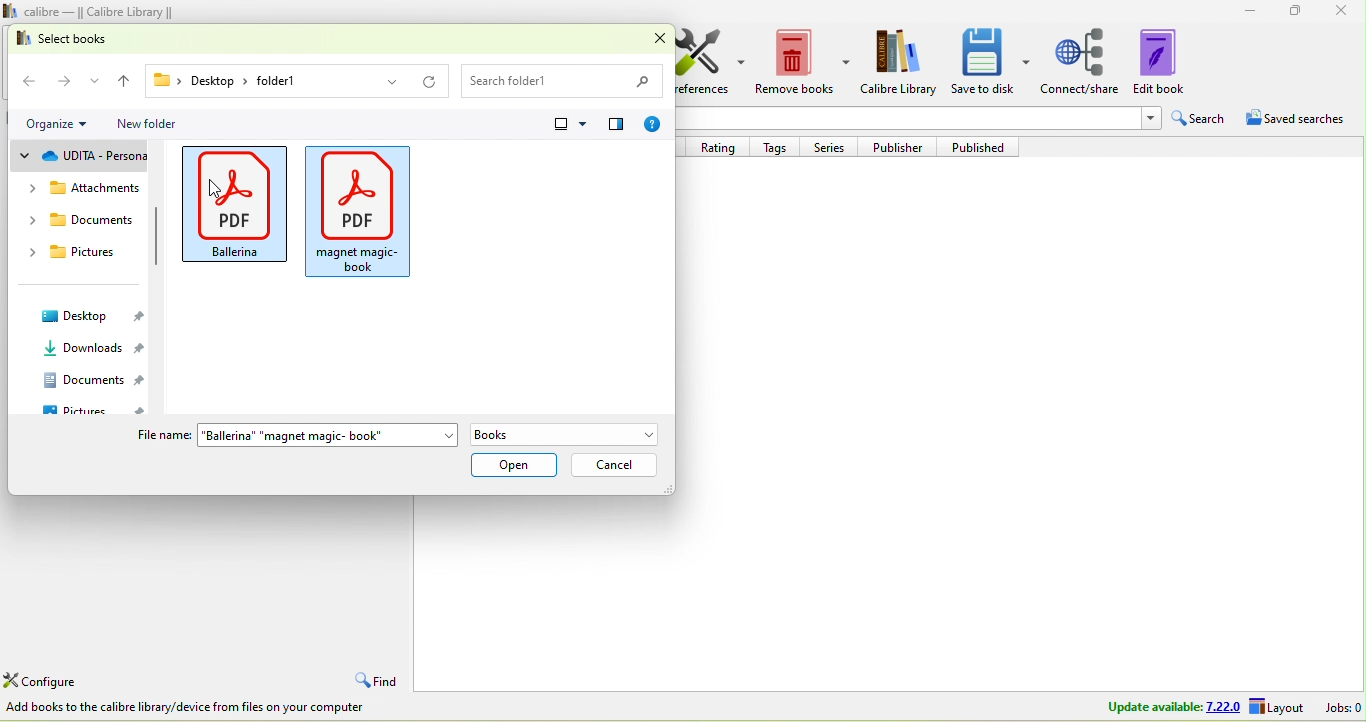  What do you see at coordinates (199, 81) in the screenshot?
I see `desktop` at bounding box center [199, 81].